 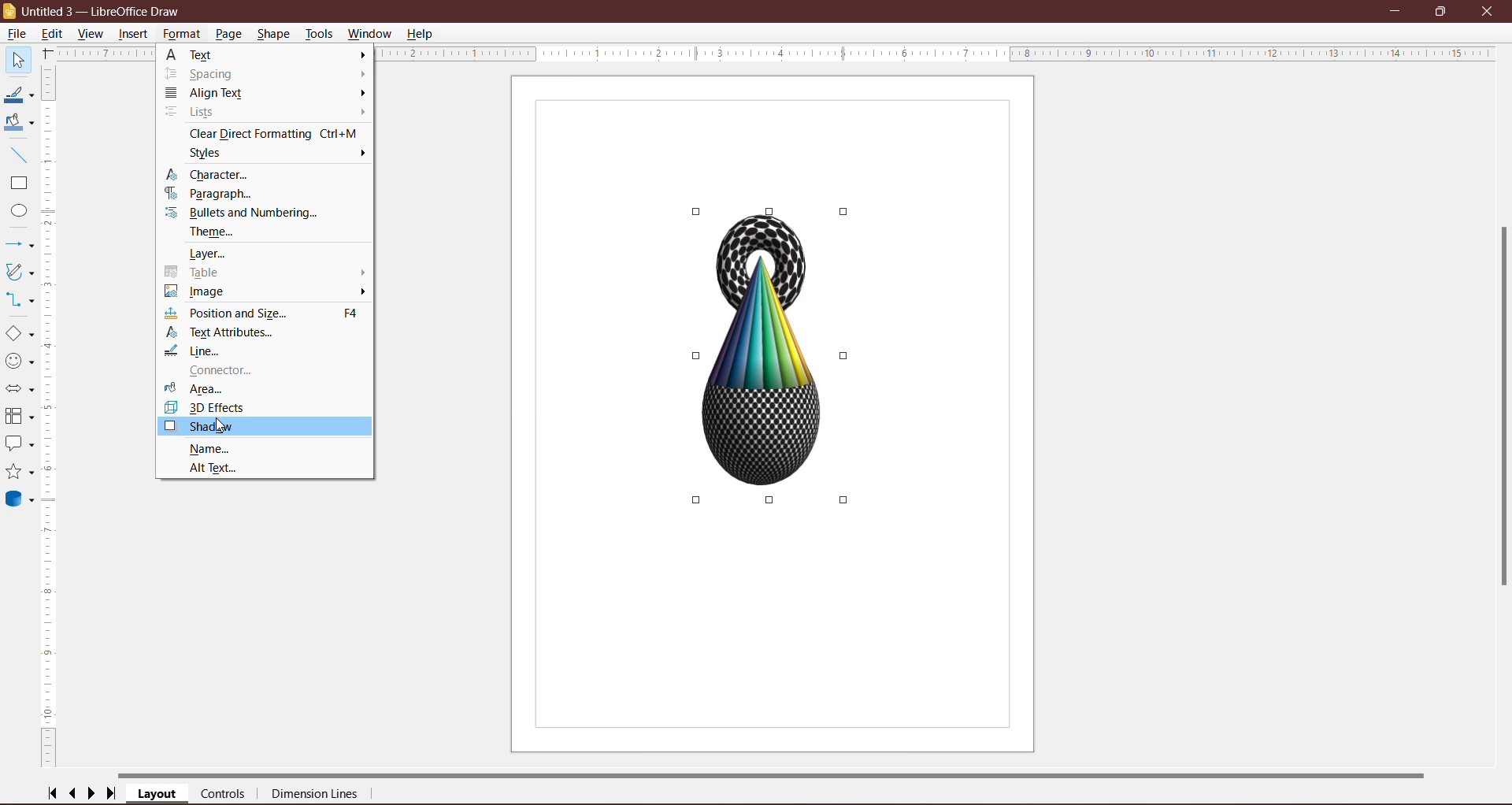 I want to click on 3D Effects, so click(x=209, y=408).